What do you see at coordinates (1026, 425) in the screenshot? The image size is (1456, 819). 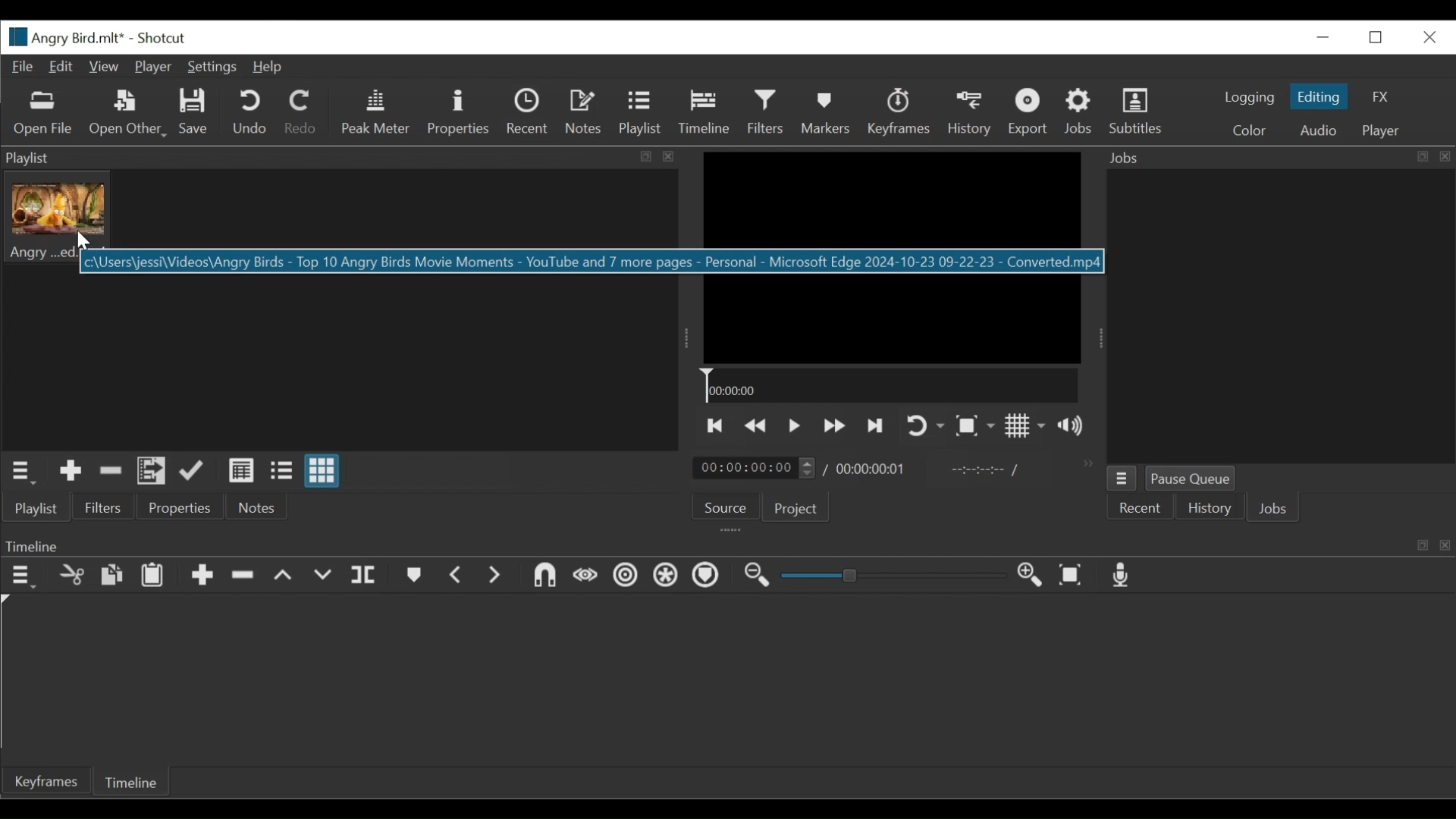 I see `Toggle display grid on player` at bounding box center [1026, 425].